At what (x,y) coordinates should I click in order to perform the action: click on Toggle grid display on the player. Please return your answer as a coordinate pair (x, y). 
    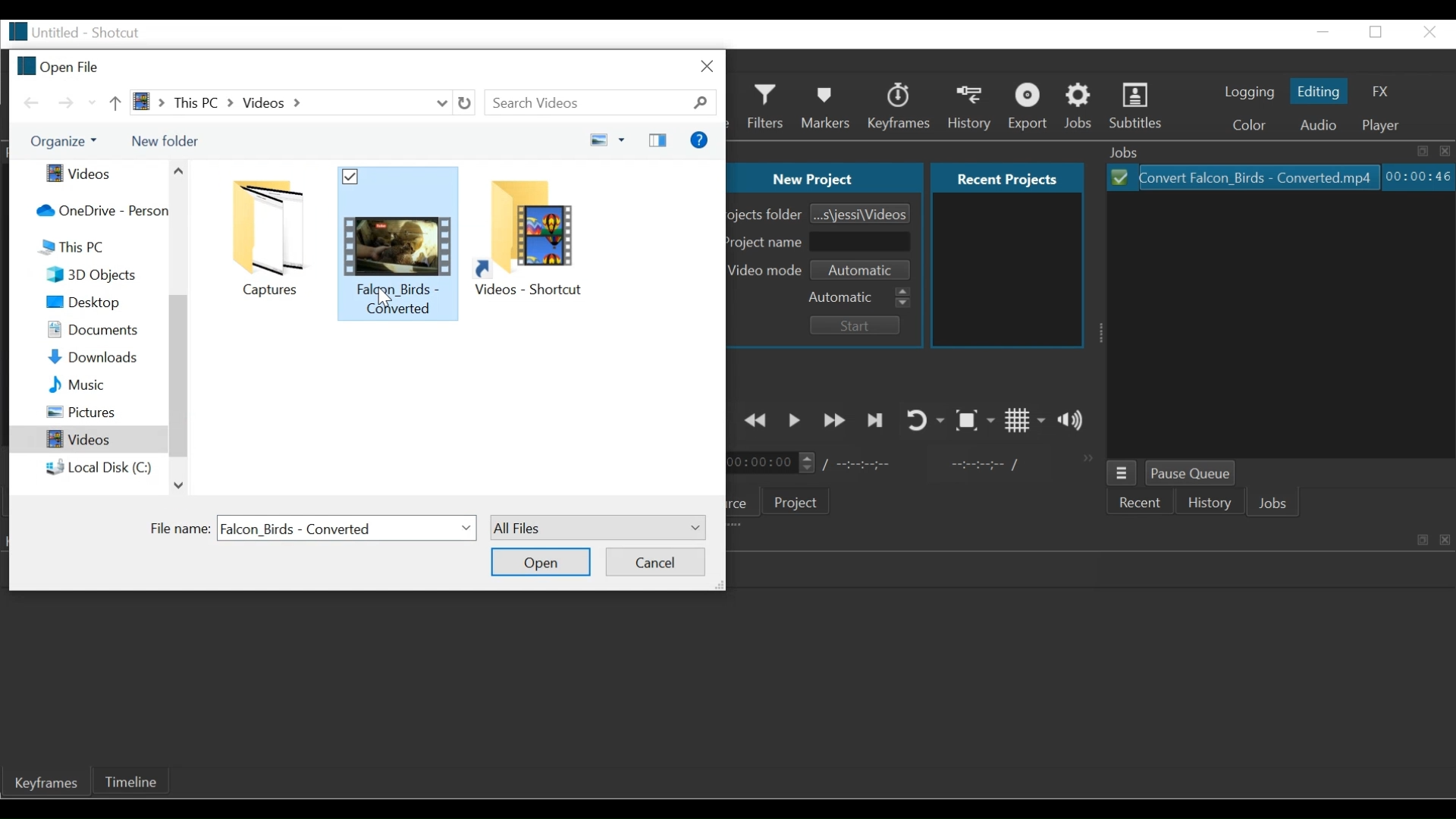
    Looking at the image, I should click on (1025, 419).